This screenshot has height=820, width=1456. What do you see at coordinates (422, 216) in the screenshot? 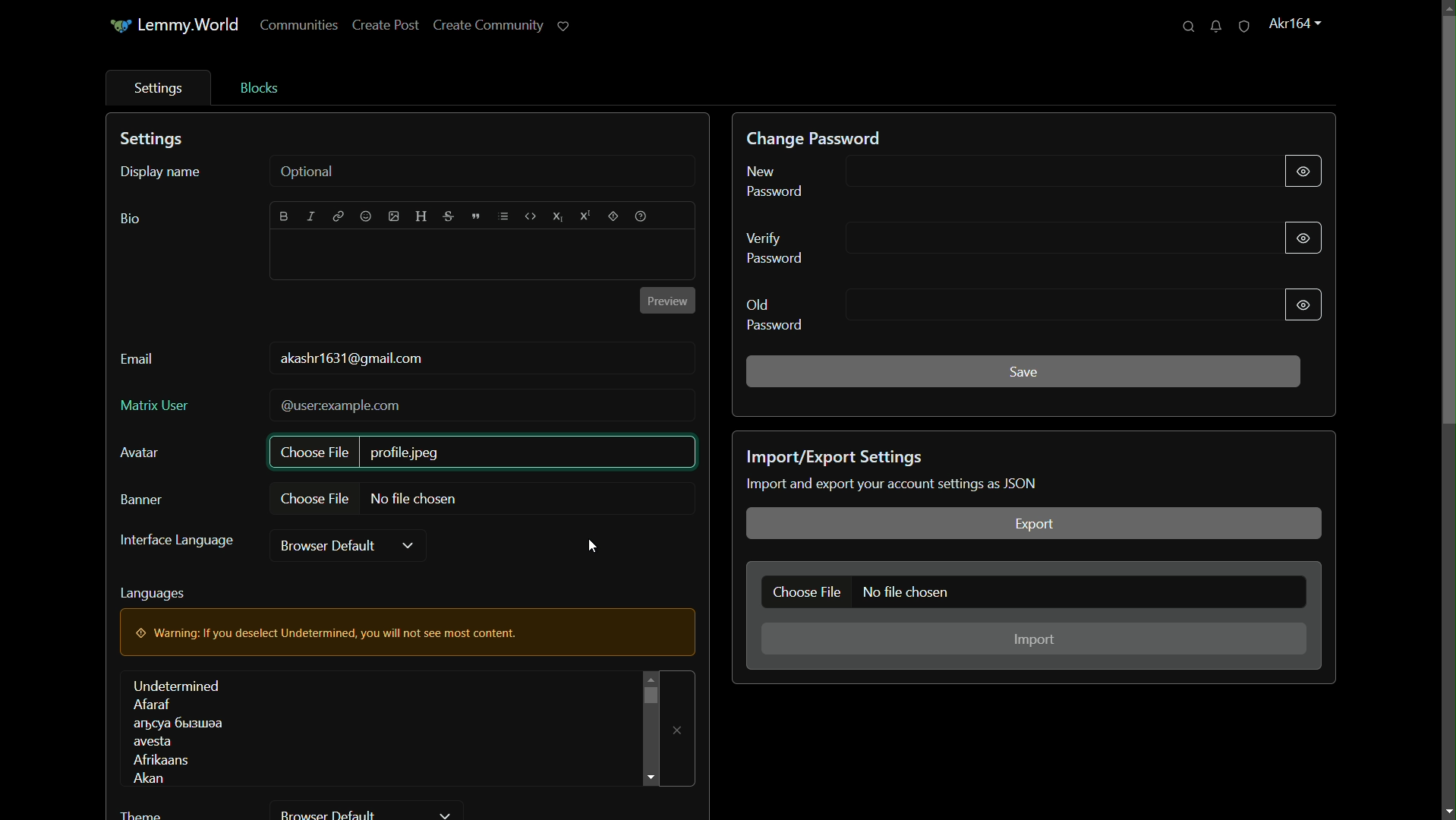
I see `header` at bounding box center [422, 216].